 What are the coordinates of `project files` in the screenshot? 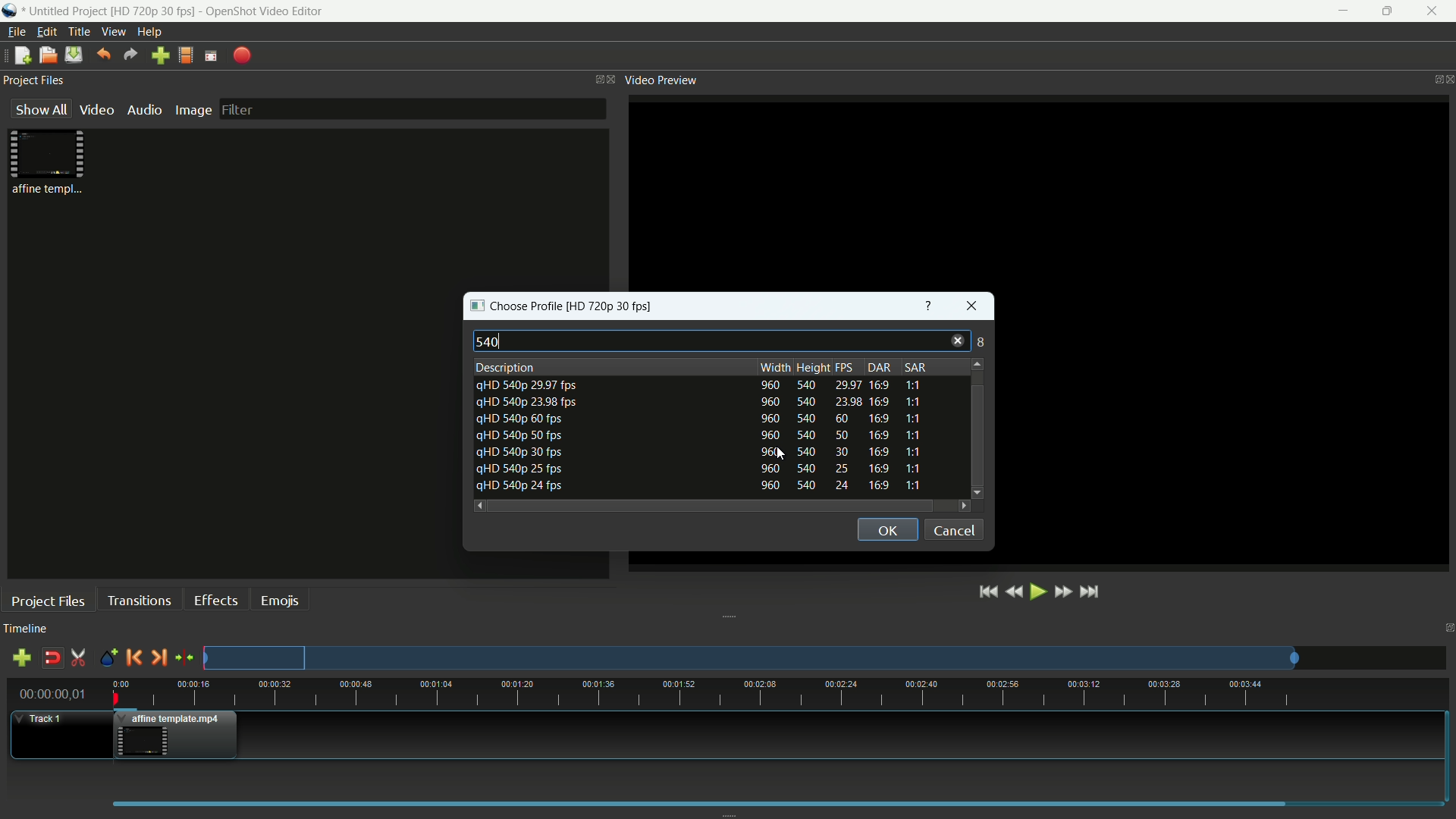 It's located at (34, 80).